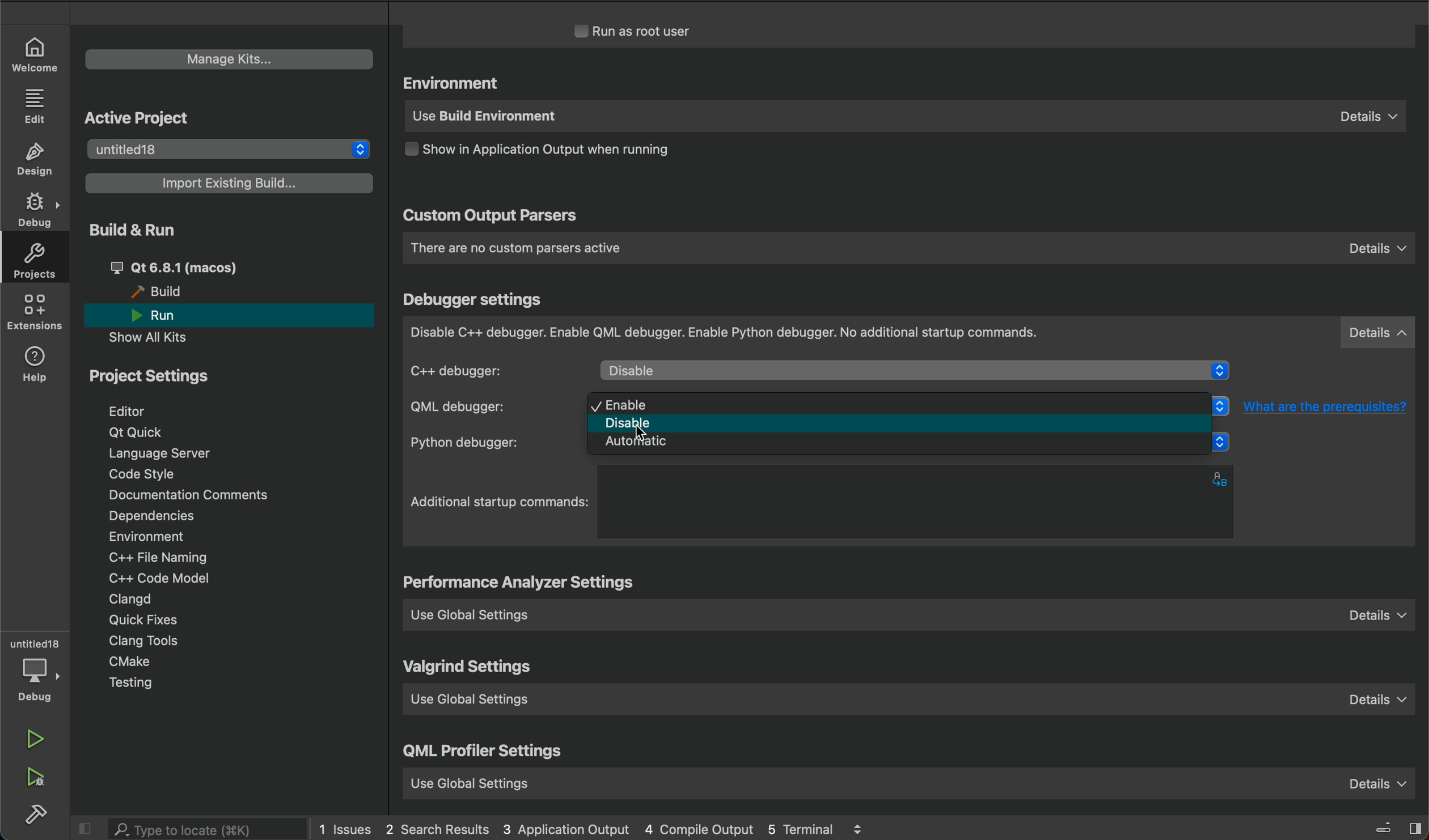  Describe the element at coordinates (147, 621) in the screenshot. I see `quick ` at that location.